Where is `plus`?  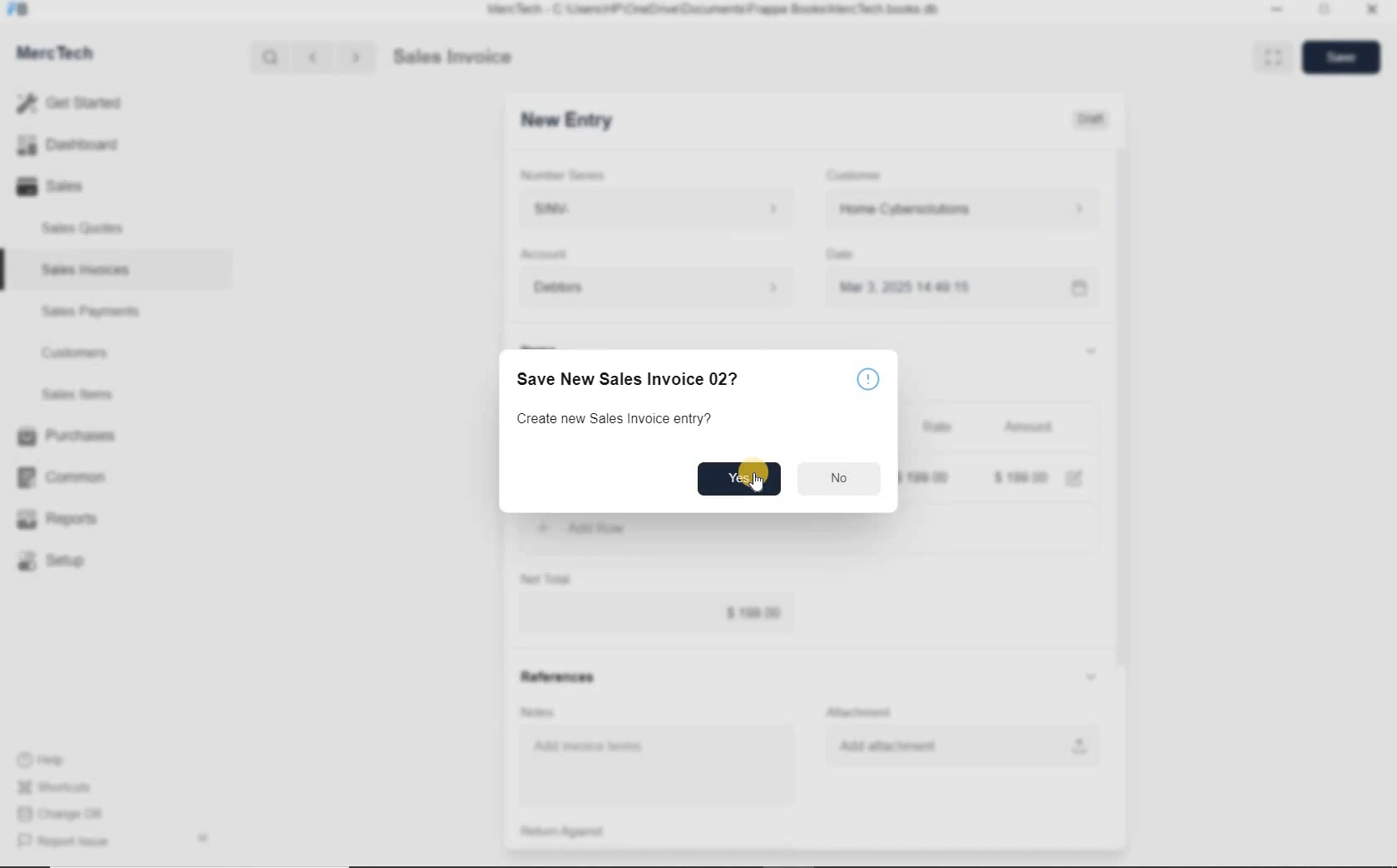
plus is located at coordinates (543, 526).